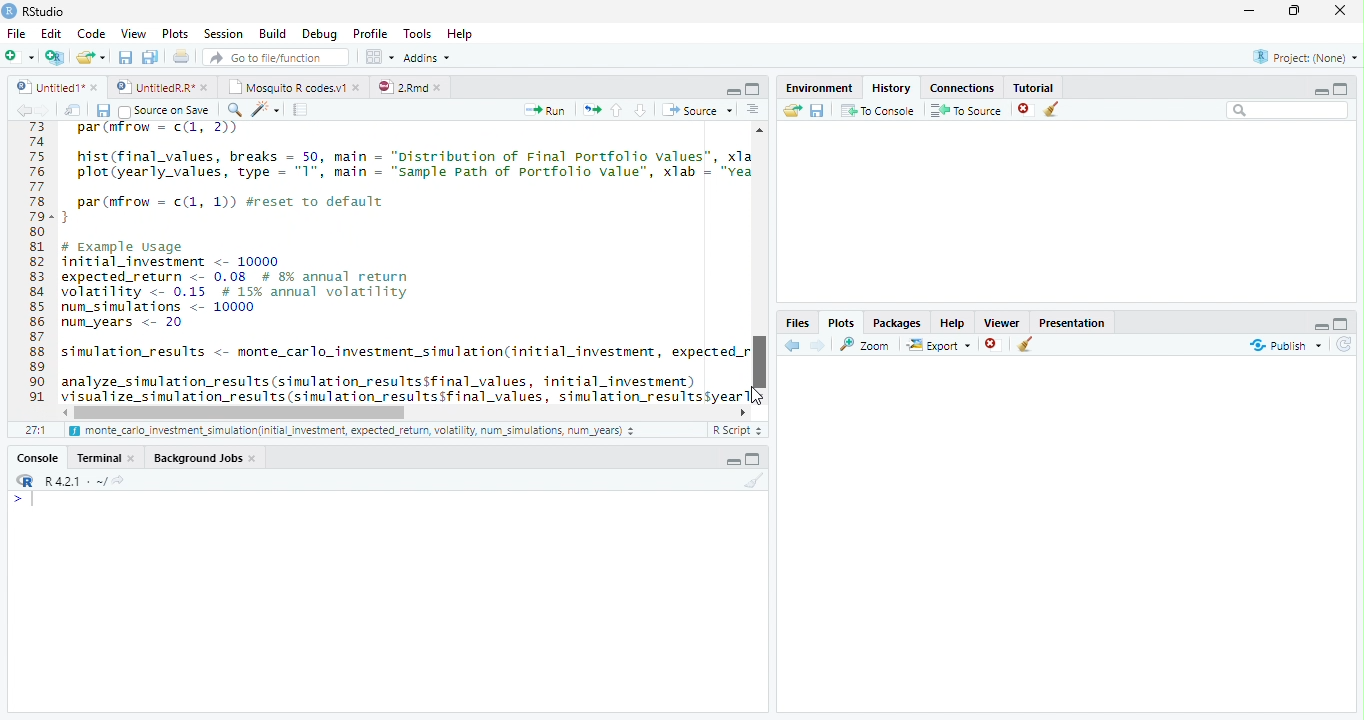 This screenshot has height=720, width=1364. I want to click on Open in new window, so click(73, 110).